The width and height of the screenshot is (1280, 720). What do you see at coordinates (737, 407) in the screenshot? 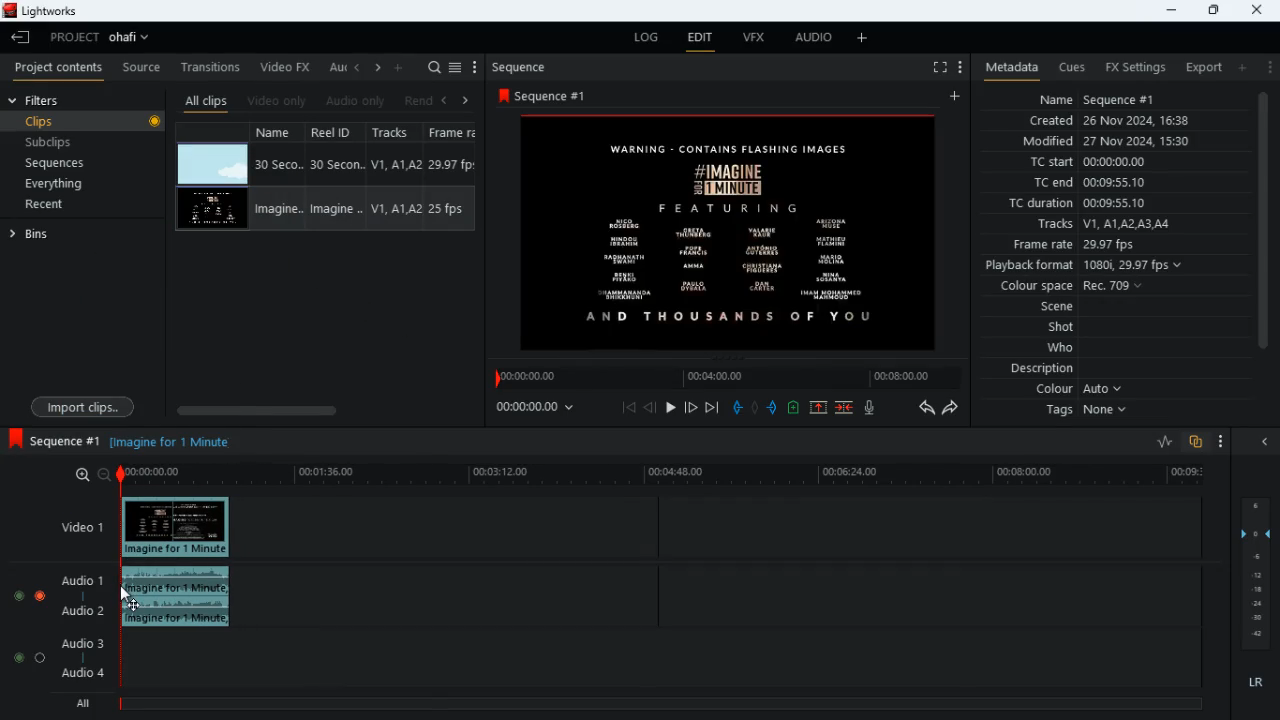
I see `pull` at bounding box center [737, 407].